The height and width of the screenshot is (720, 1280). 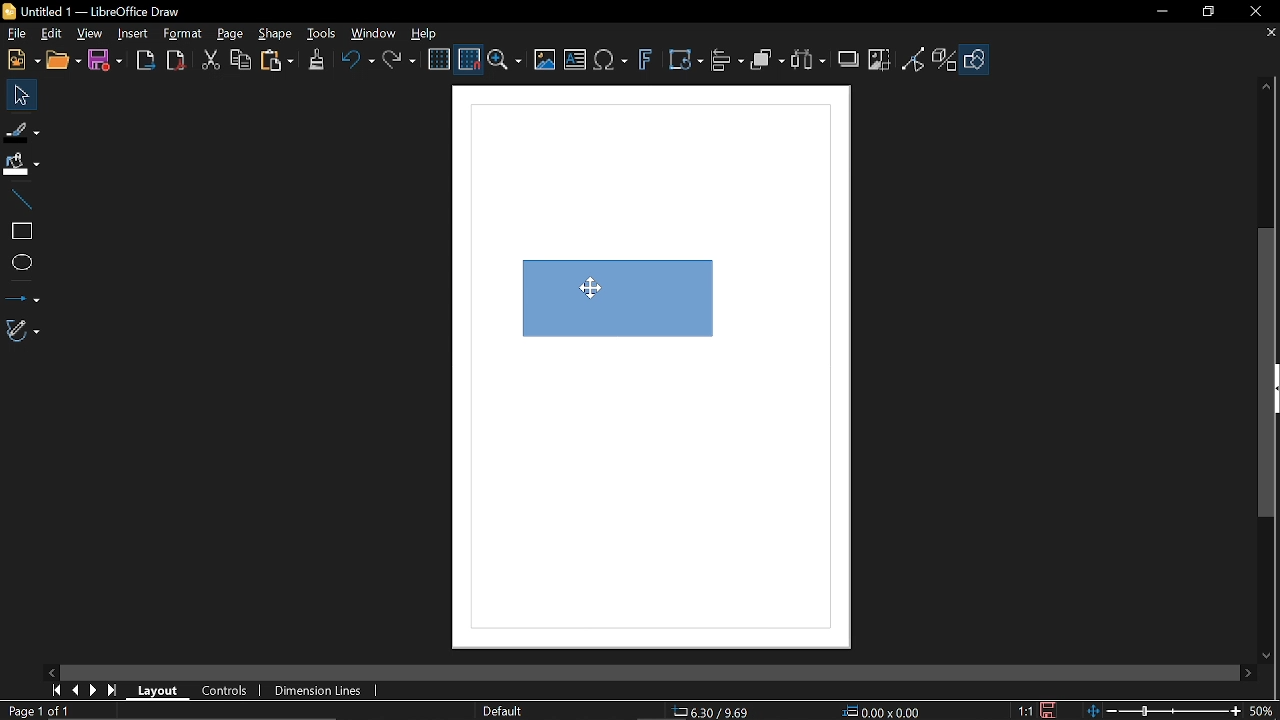 I want to click on slide master name, so click(x=504, y=710).